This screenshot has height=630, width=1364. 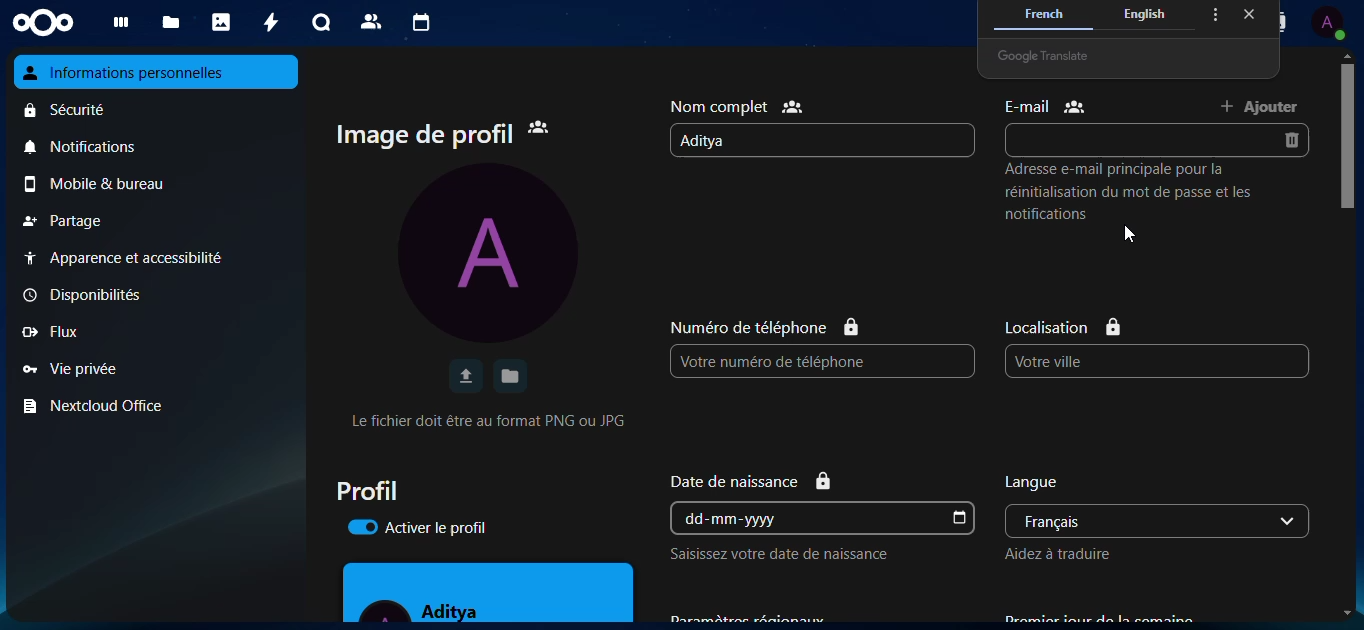 I want to click on close, so click(x=1248, y=16).